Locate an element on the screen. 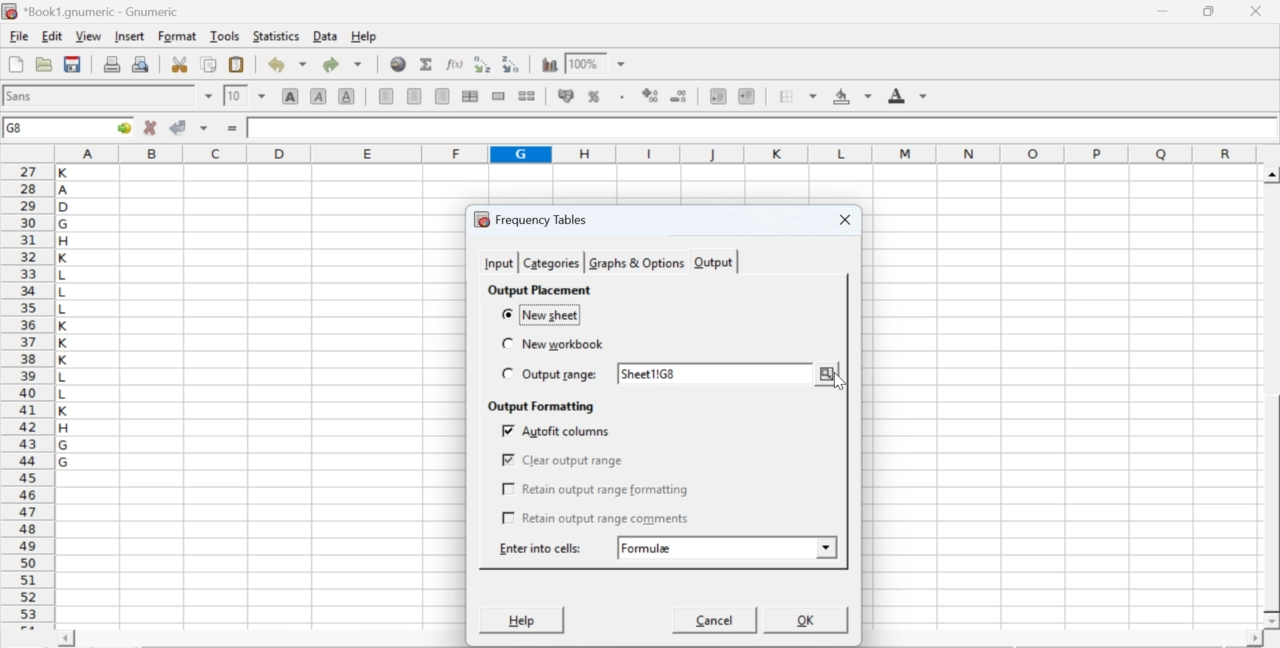 This screenshot has width=1280, height=648. font is located at coordinates (22, 95).